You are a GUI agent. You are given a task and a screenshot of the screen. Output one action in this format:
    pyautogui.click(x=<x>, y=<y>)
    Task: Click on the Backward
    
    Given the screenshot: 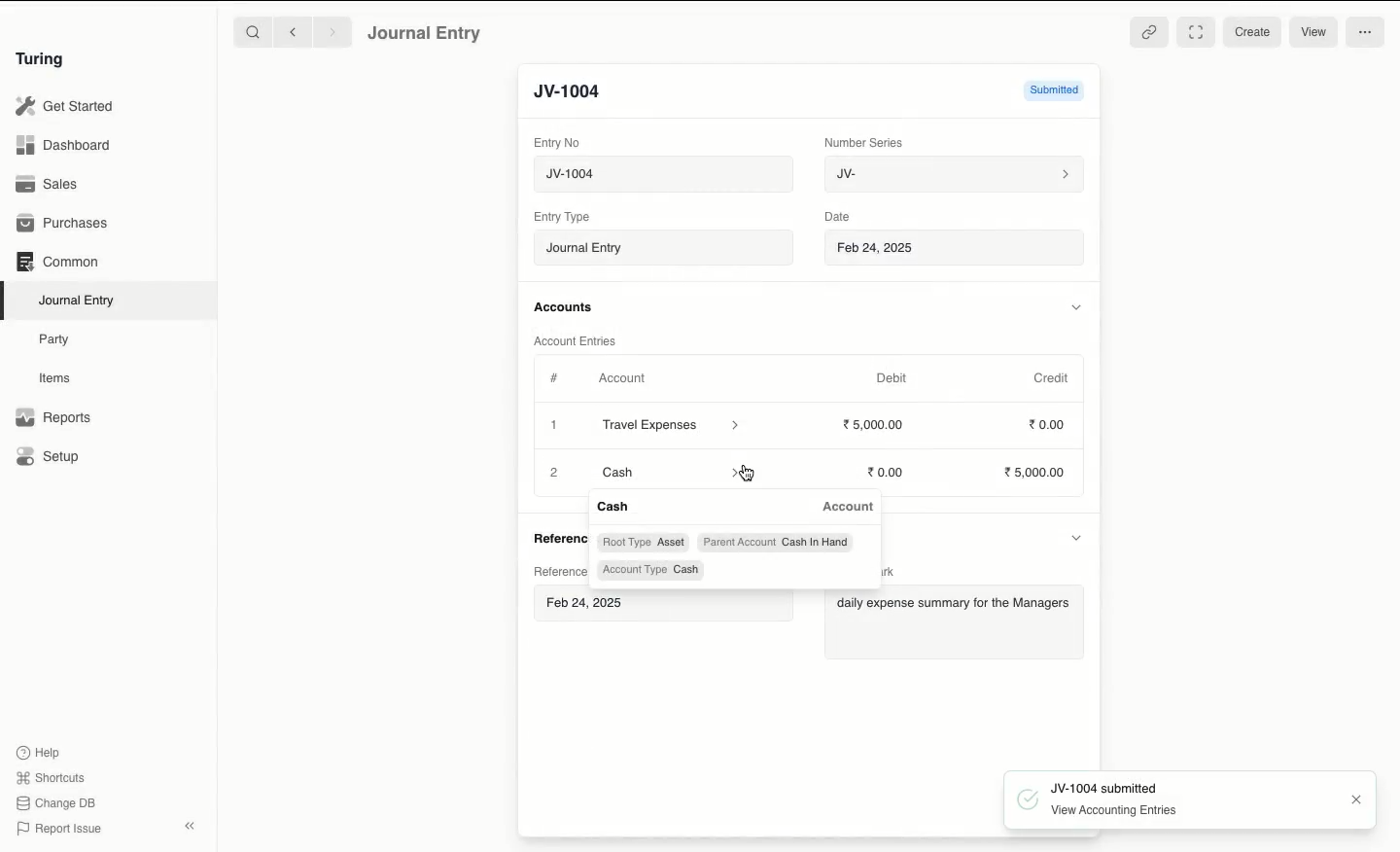 What is the action you would take?
    pyautogui.click(x=293, y=31)
    